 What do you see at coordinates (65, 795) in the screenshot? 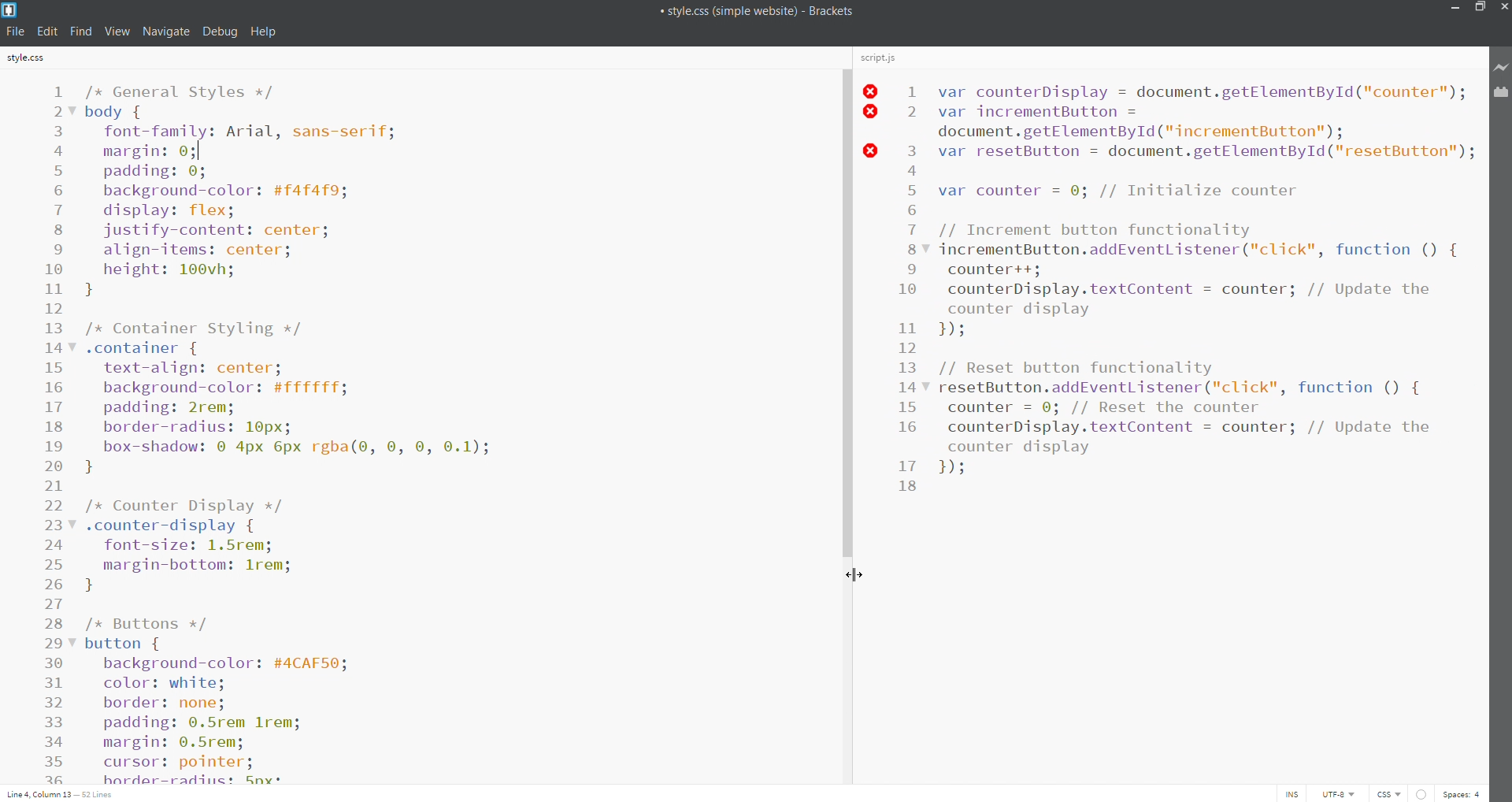
I see `cursor position` at bounding box center [65, 795].